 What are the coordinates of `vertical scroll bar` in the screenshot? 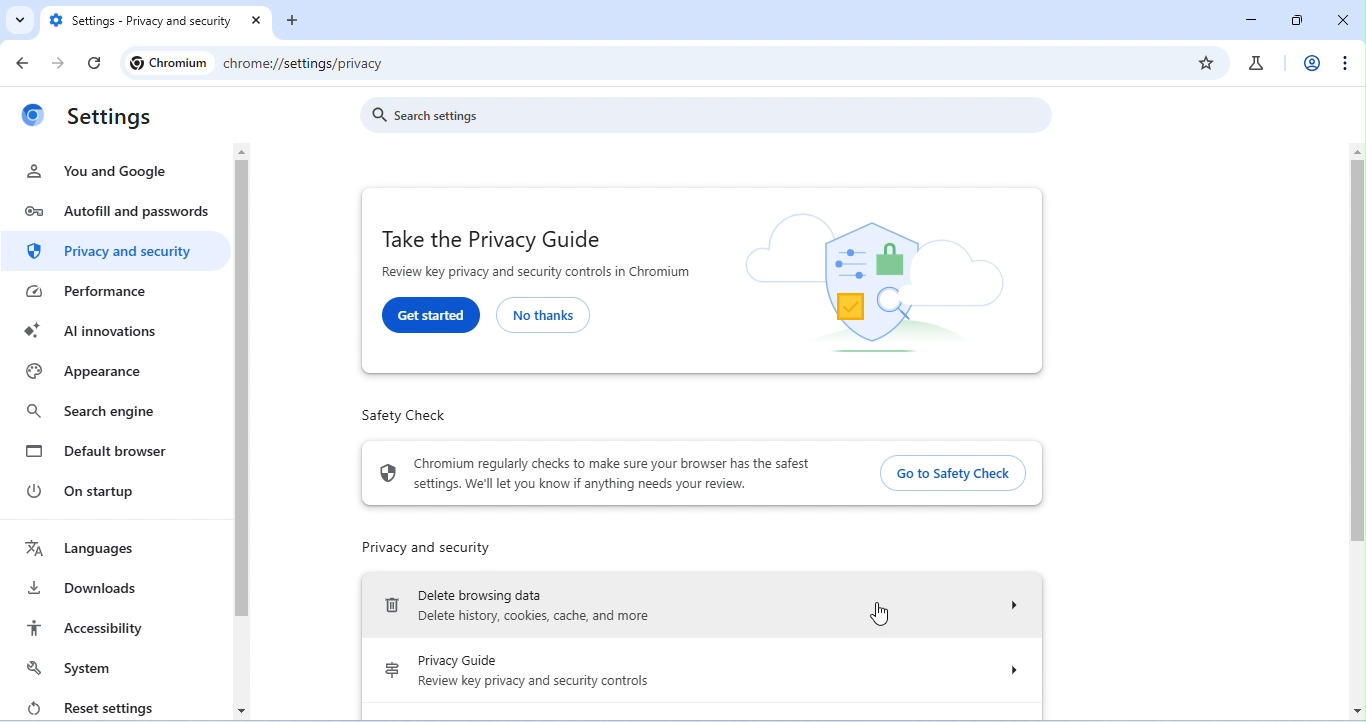 It's located at (242, 396).